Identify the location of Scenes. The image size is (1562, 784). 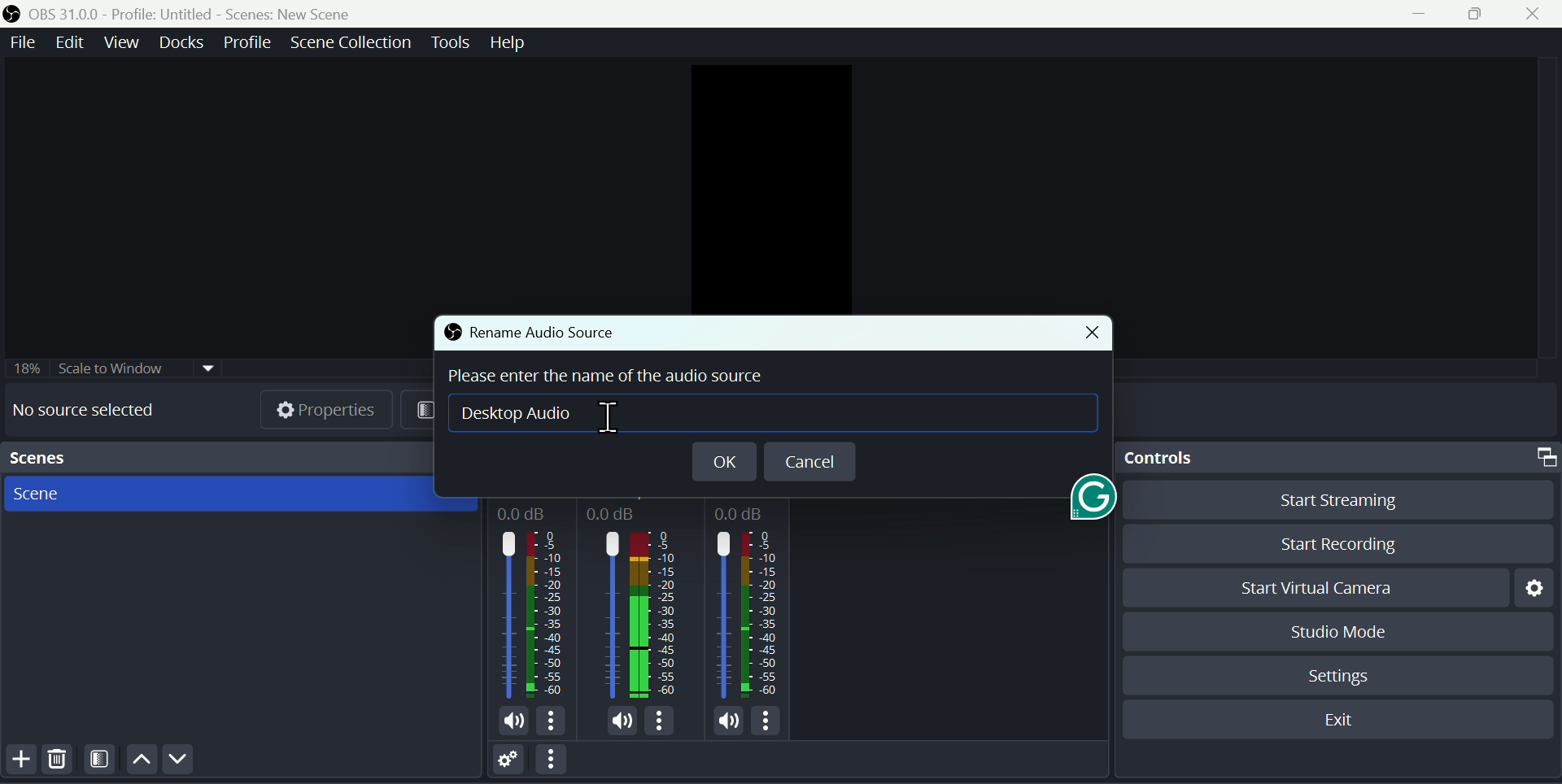
(233, 496).